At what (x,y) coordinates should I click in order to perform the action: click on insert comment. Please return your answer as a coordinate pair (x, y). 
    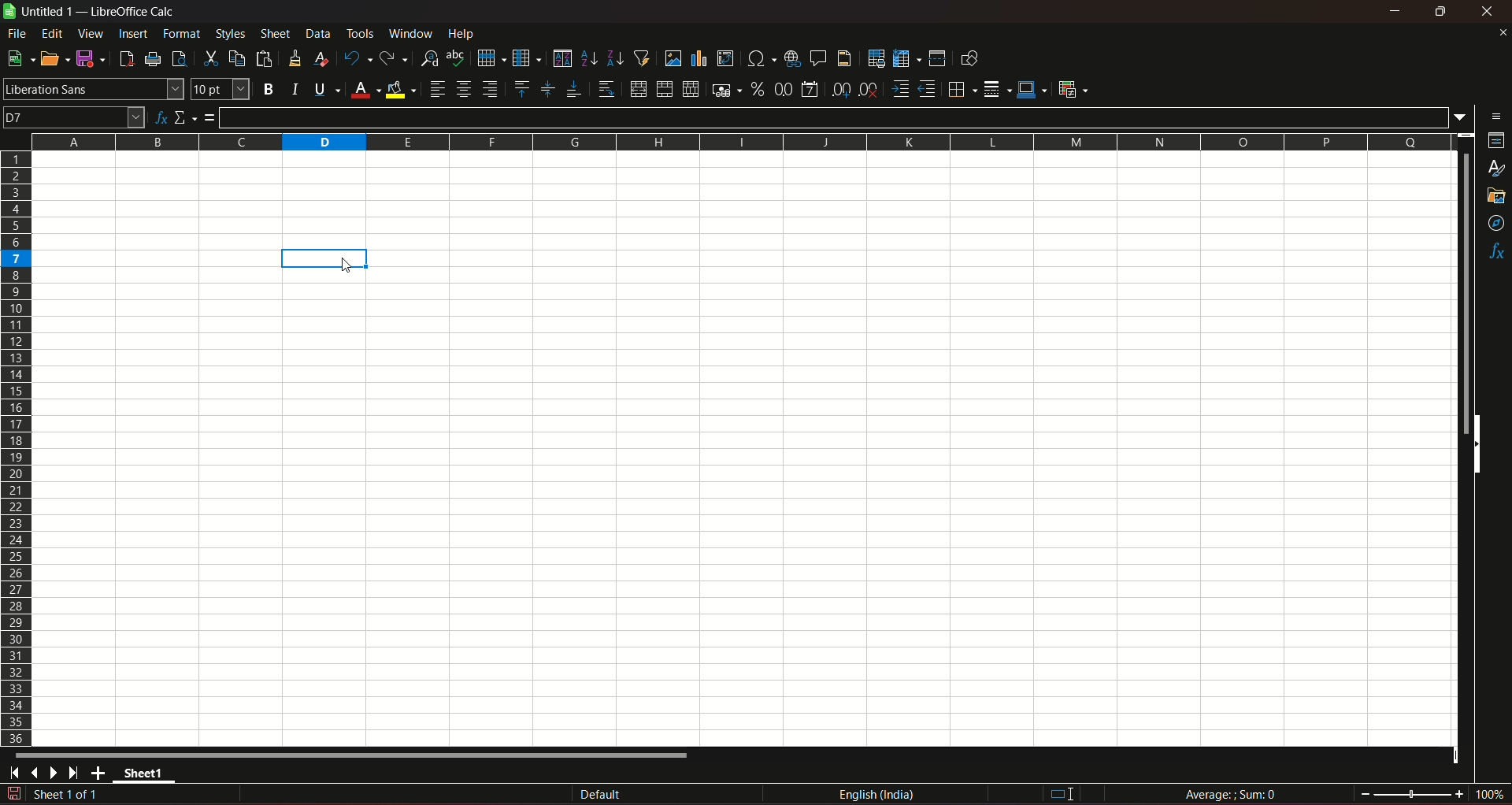
    Looking at the image, I should click on (817, 57).